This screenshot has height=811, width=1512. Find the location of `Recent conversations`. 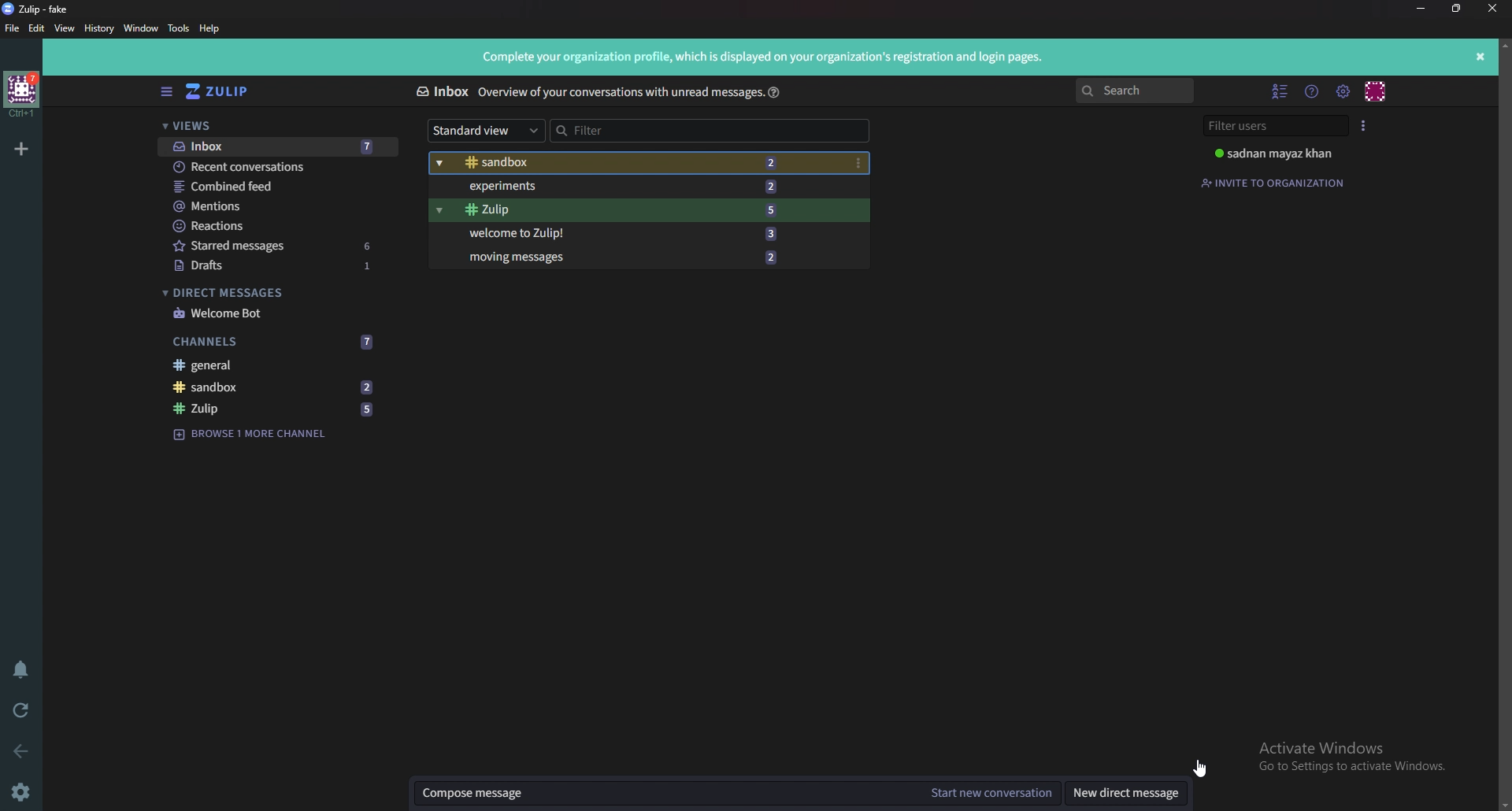

Recent conversations is located at coordinates (277, 168).